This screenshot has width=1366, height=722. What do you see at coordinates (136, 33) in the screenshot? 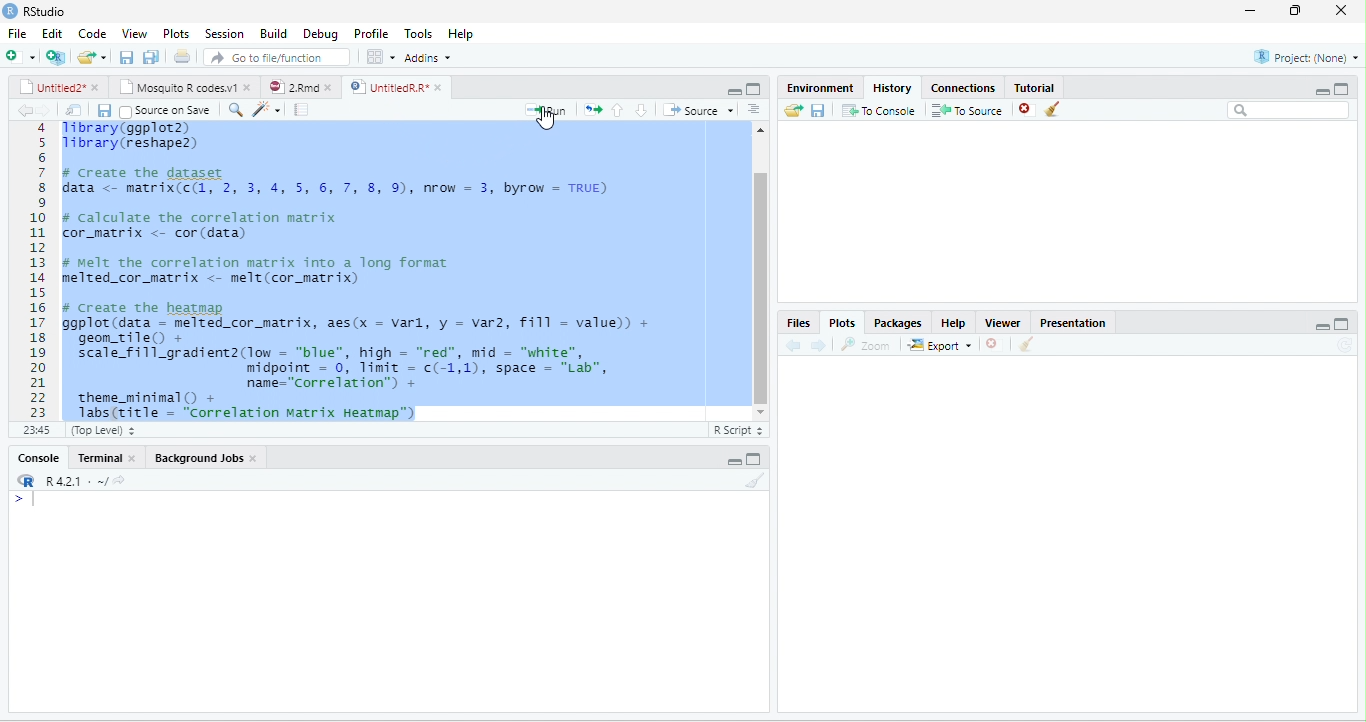
I see `view` at bounding box center [136, 33].